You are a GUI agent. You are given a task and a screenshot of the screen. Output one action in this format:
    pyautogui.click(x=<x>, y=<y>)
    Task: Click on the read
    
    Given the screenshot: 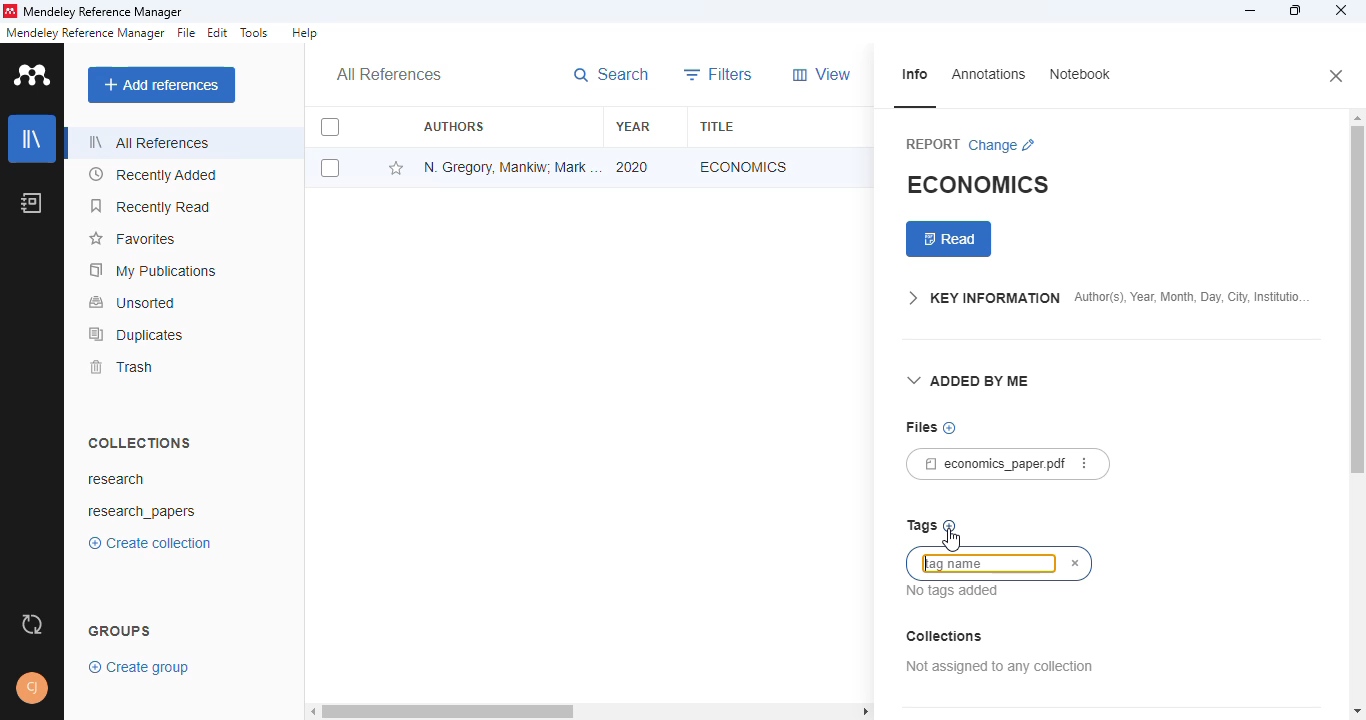 What is the action you would take?
    pyautogui.click(x=949, y=239)
    